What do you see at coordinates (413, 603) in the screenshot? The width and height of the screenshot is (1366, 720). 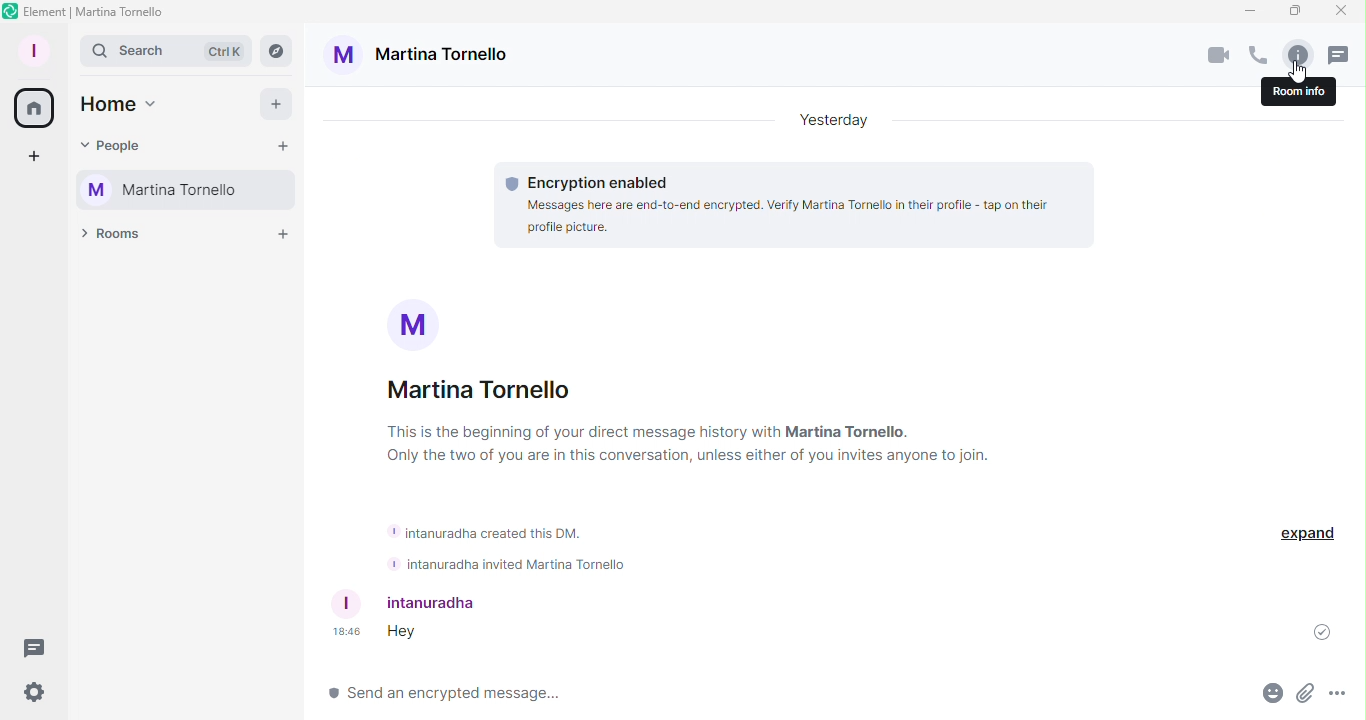 I see `intanuradha` at bounding box center [413, 603].